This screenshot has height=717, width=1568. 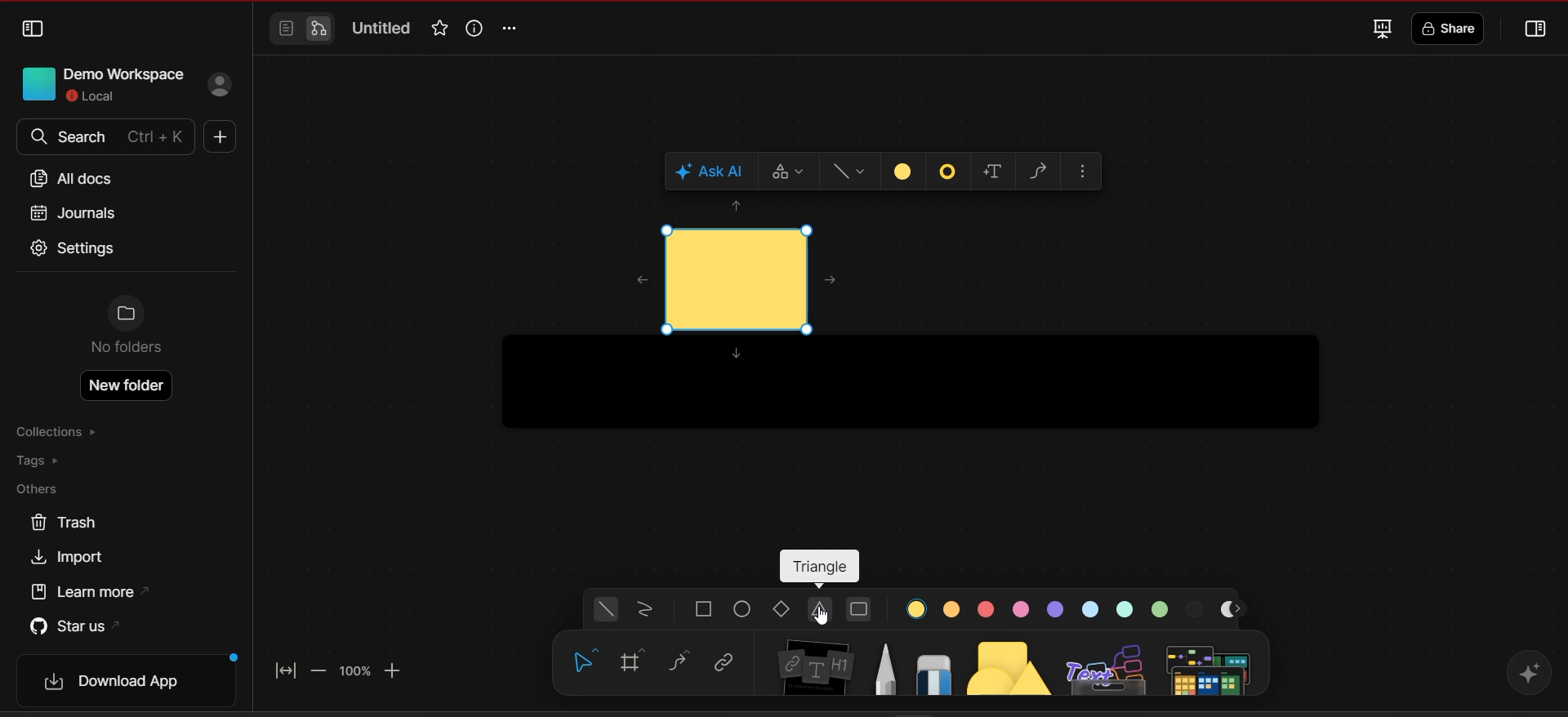 I want to click on Untitled, so click(x=382, y=29).